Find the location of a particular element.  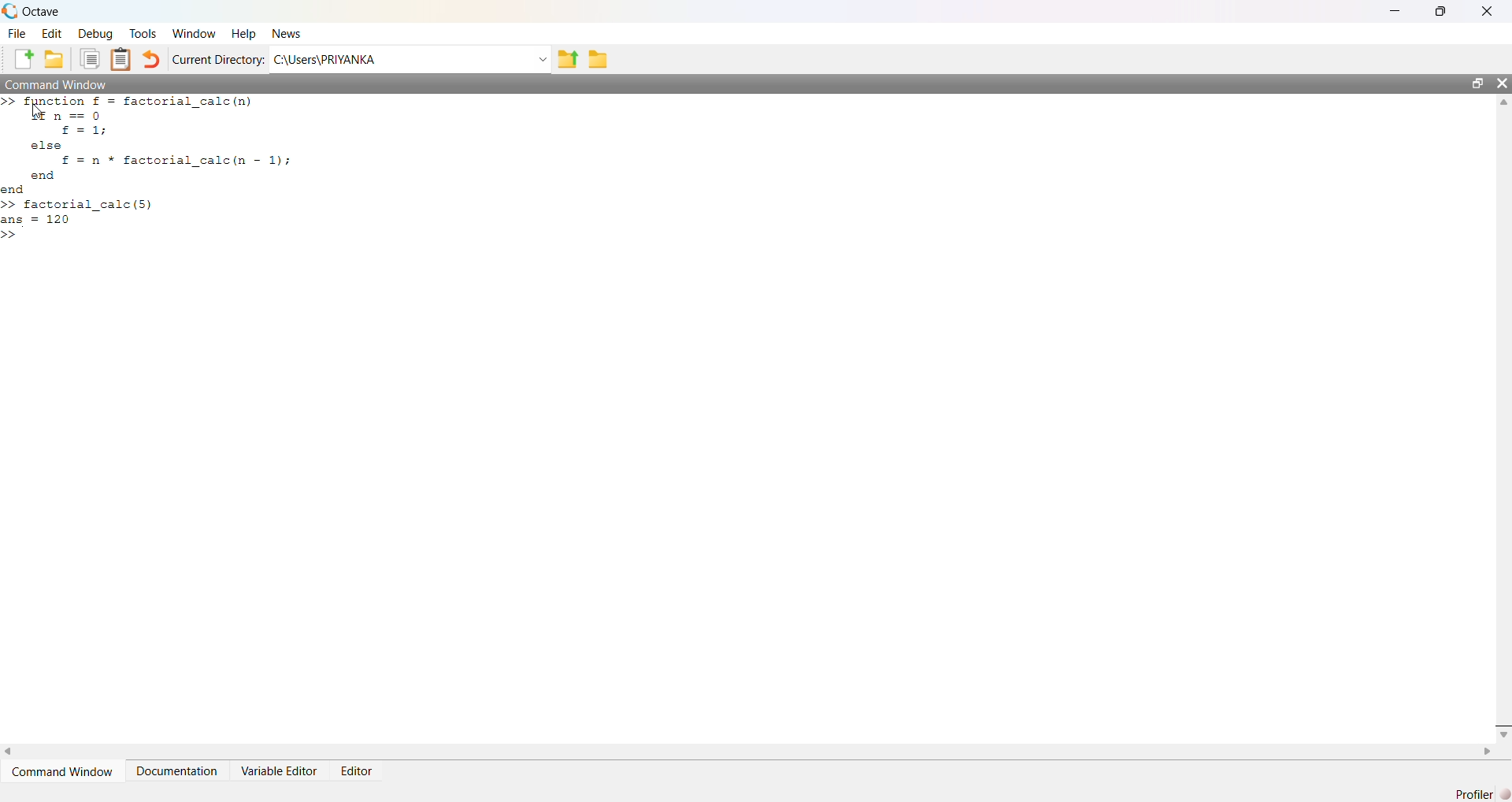

add folder is located at coordinates (54, 60).